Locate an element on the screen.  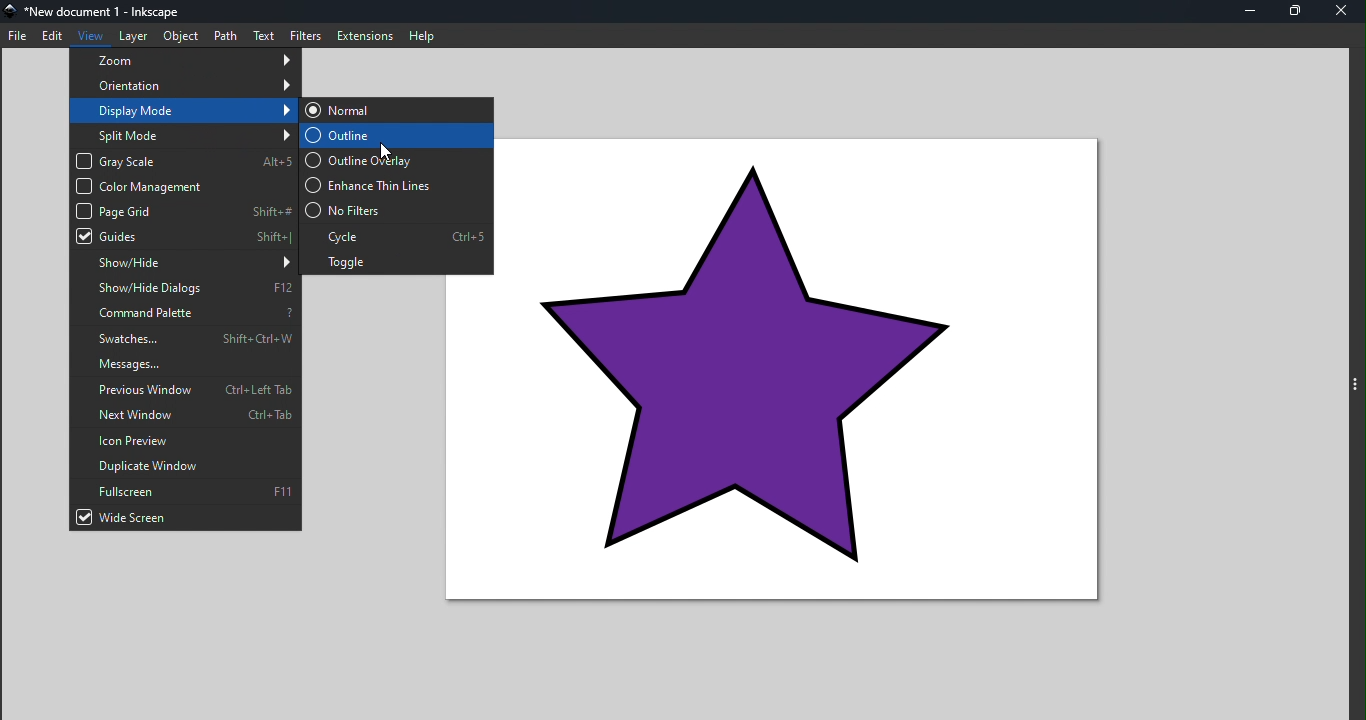
No filters is located at coordinates (395, 208).